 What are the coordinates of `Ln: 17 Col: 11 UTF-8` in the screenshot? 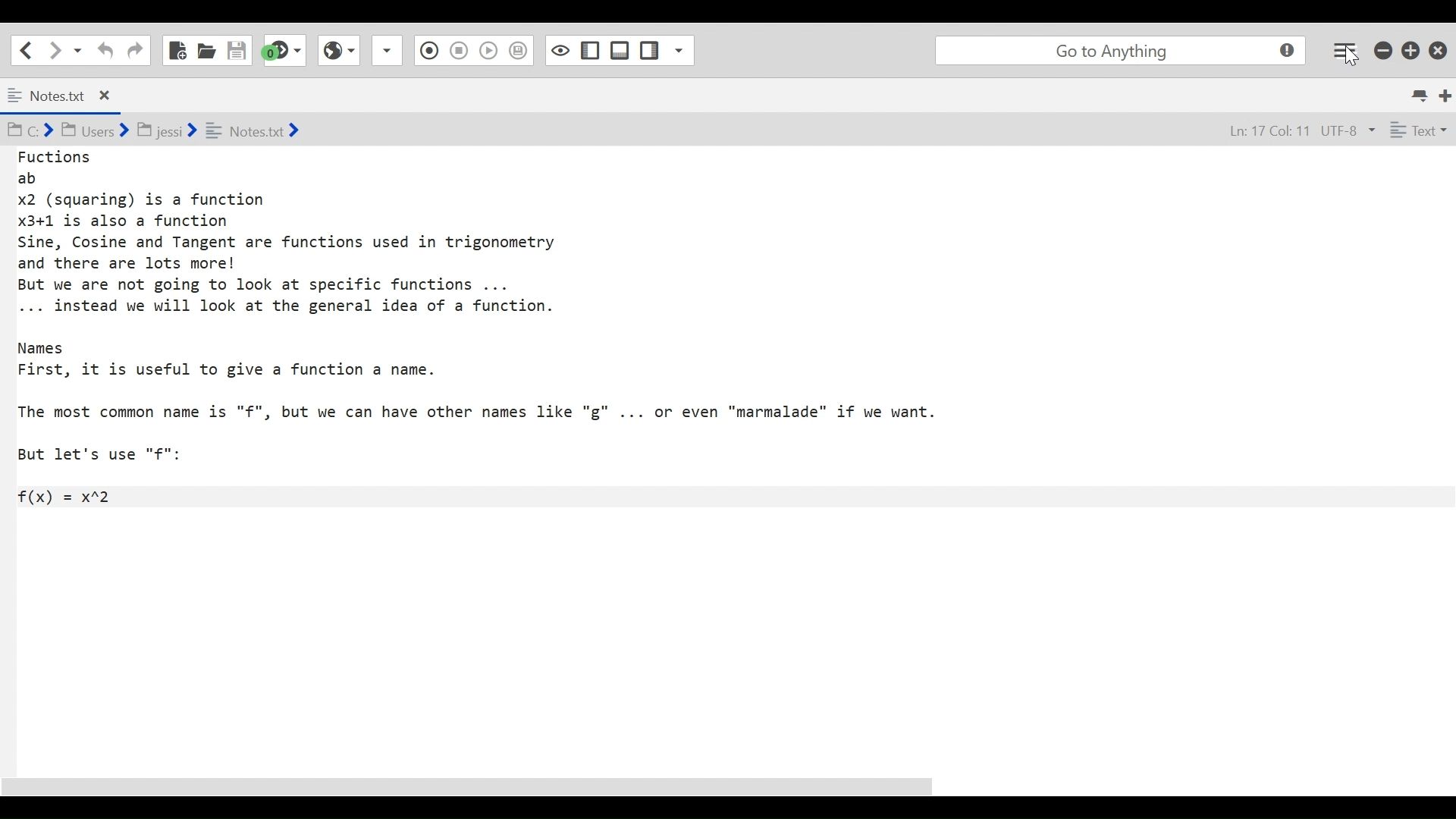 It's located at (1288, 132).